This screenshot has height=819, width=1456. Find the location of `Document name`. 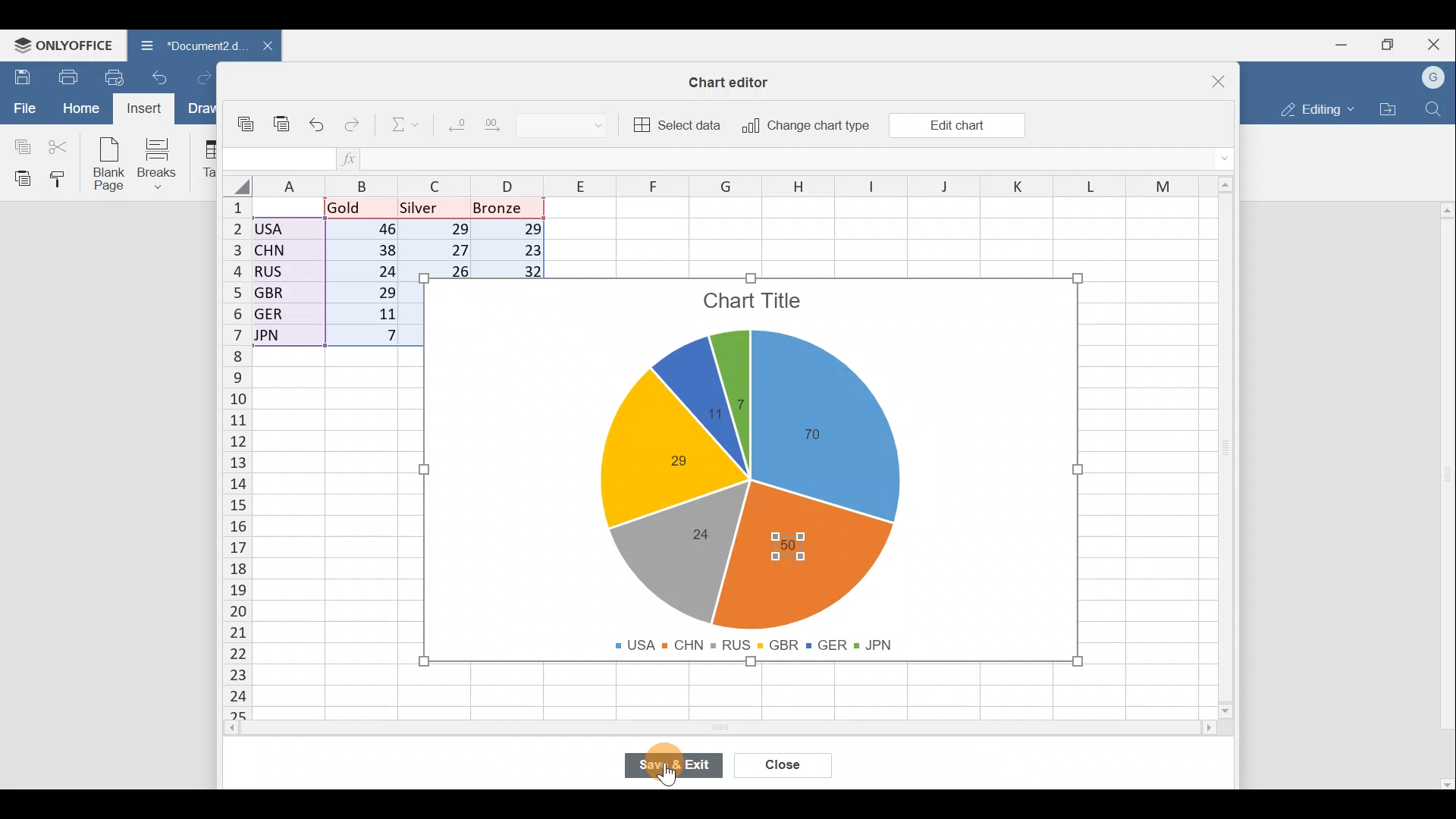

Document name is located at coordinates (188, 47).